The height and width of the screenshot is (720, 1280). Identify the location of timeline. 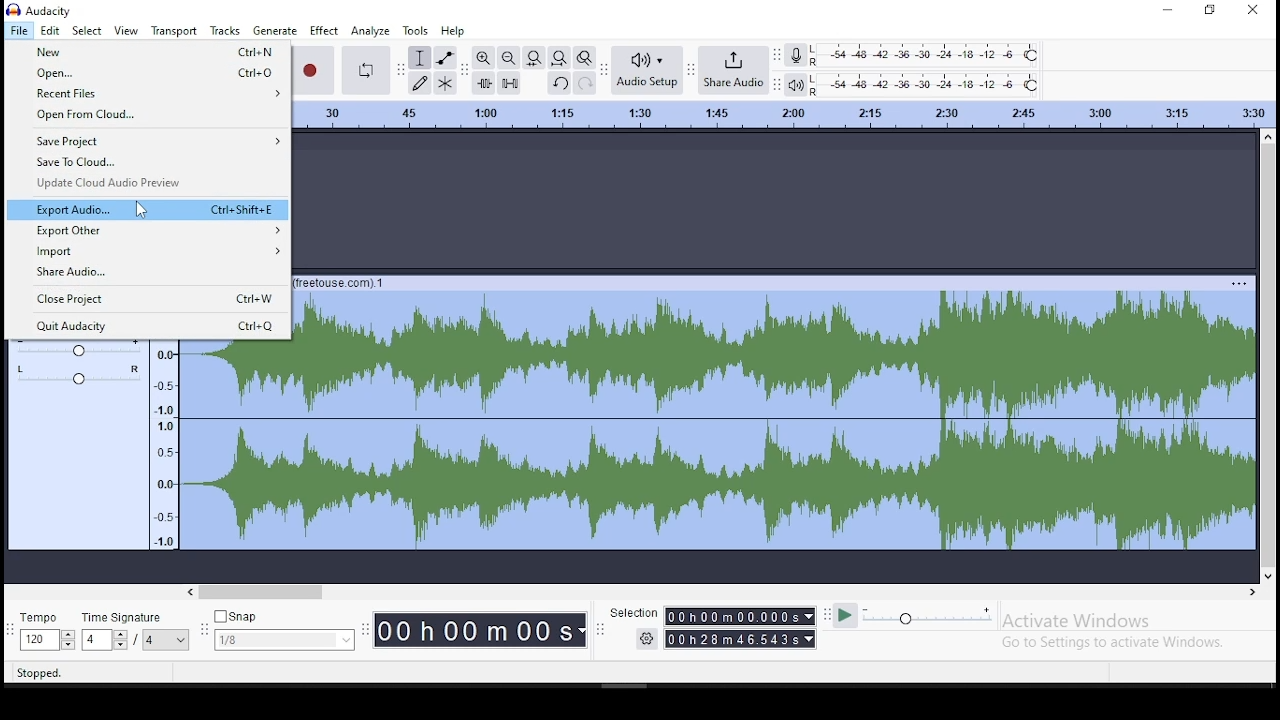
(785, 113).